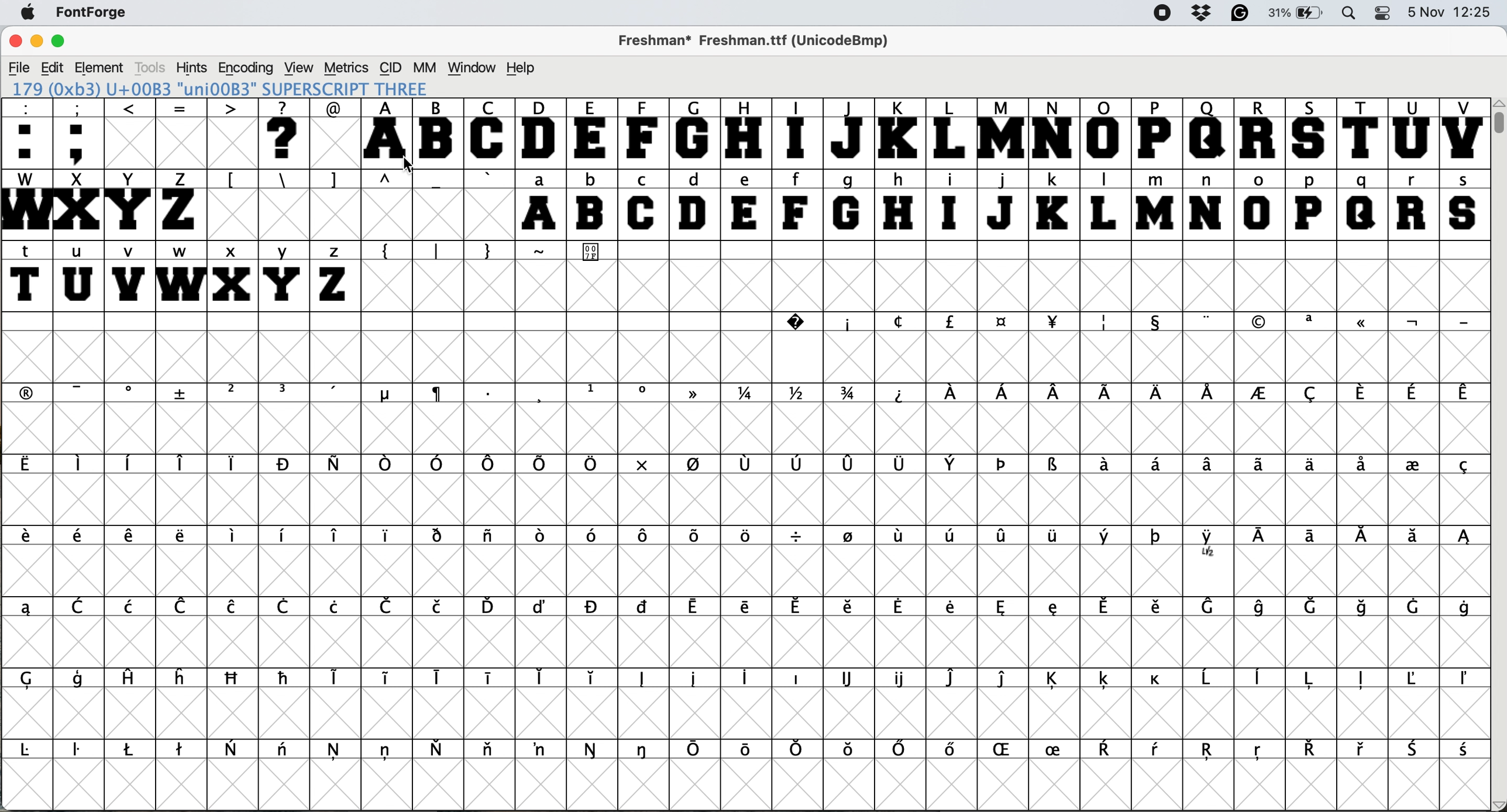 The image size is (1507, 812). Describe the element at coordinates (1209, 680) in the screenshot. I see `symbol` at that location.